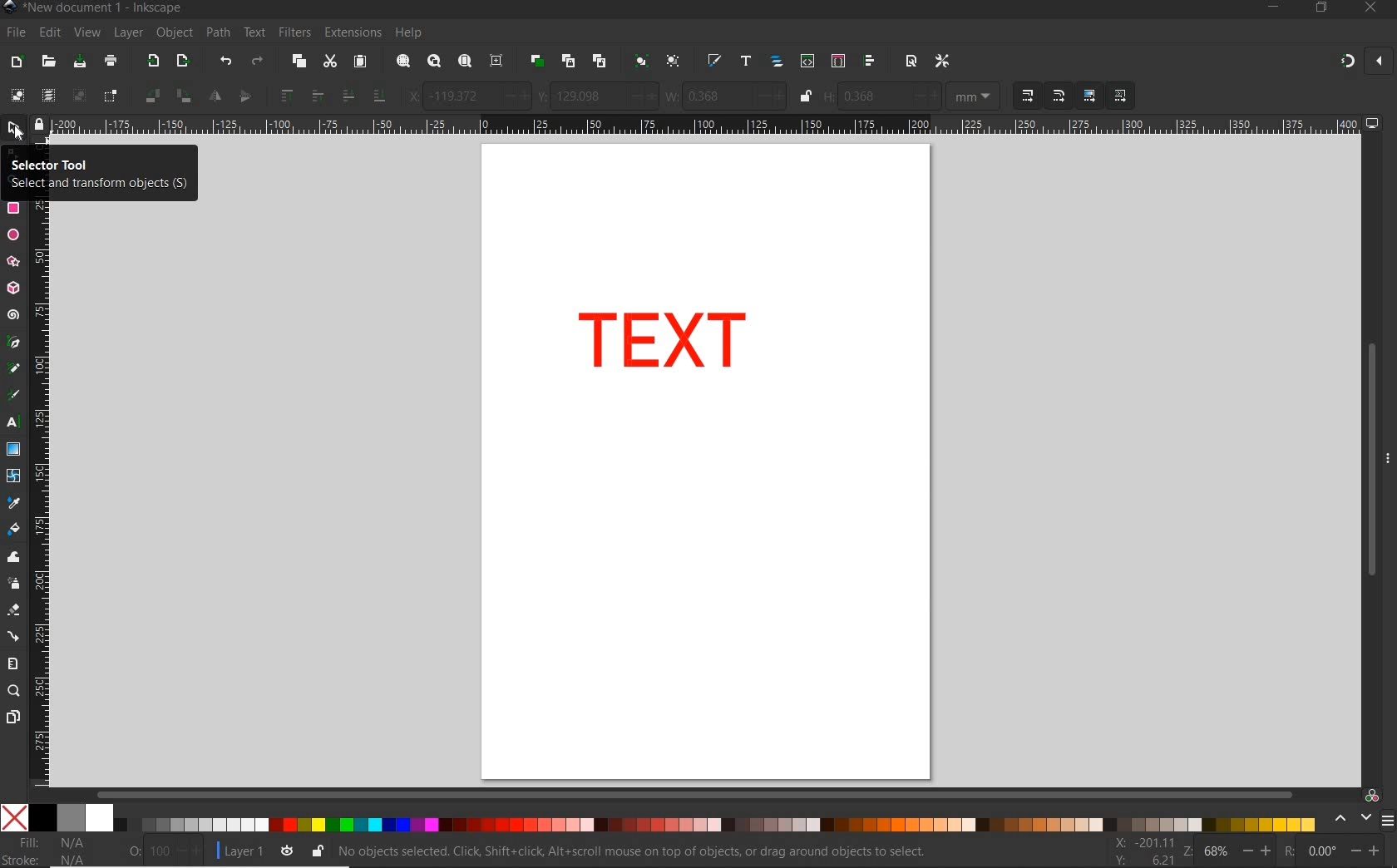 This screenshot has width=1397, height=868. What do you see at coordinates (254, 32) in the screenshot?
I see `TEXT` at bounding box center [254, 32].